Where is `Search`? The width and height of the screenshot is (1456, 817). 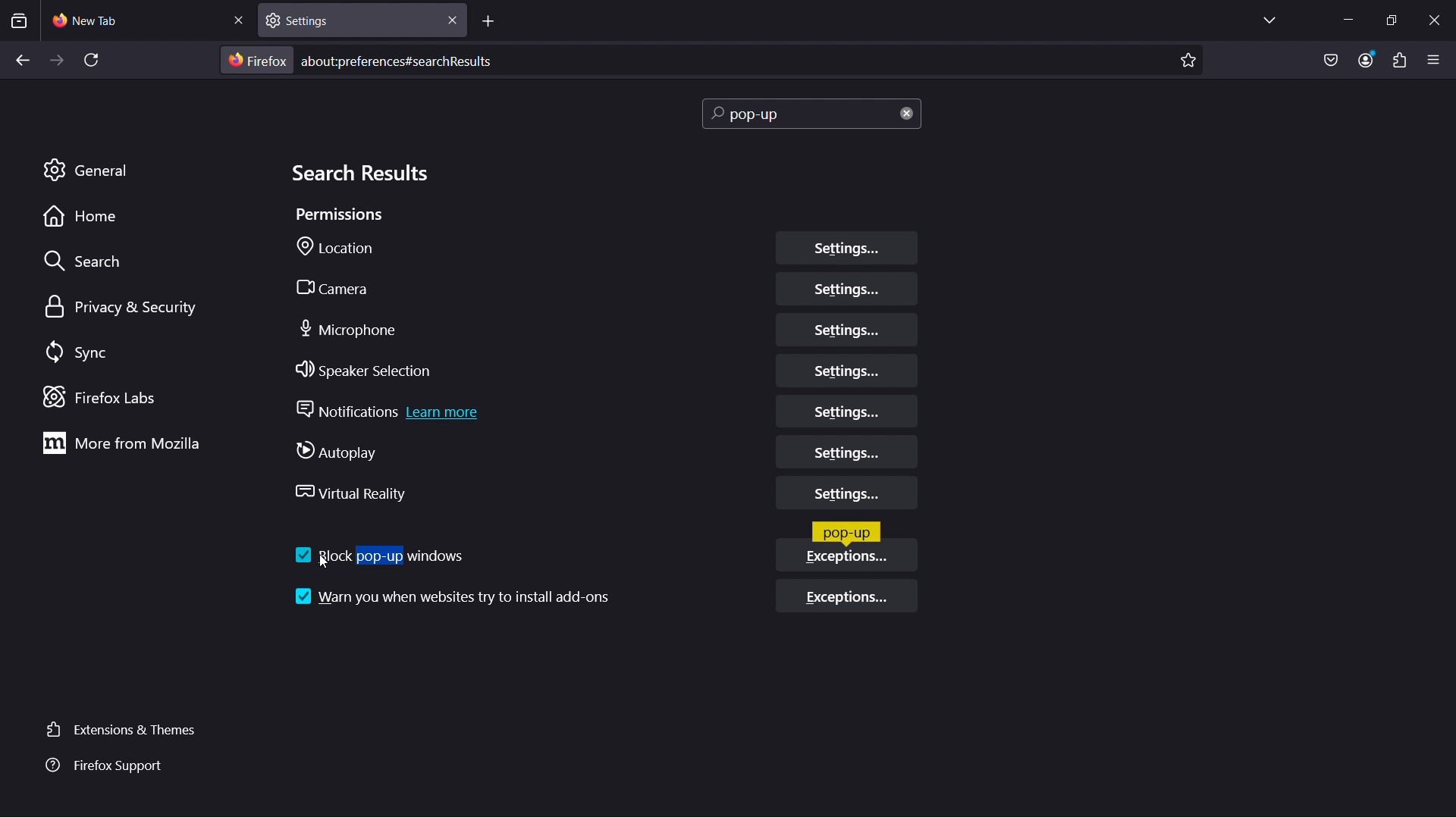 Search is located at coordinates (85, 260).